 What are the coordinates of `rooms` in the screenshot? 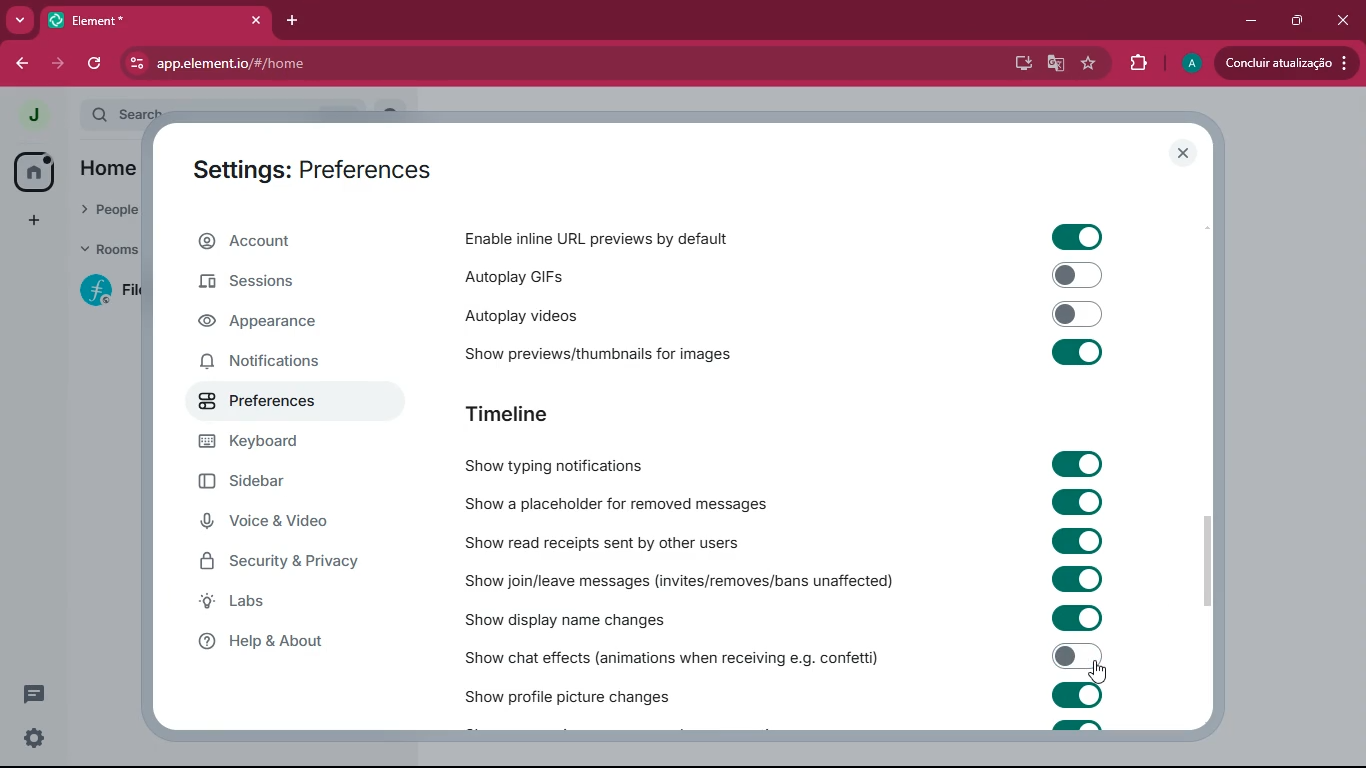 It's located at (102, 251).